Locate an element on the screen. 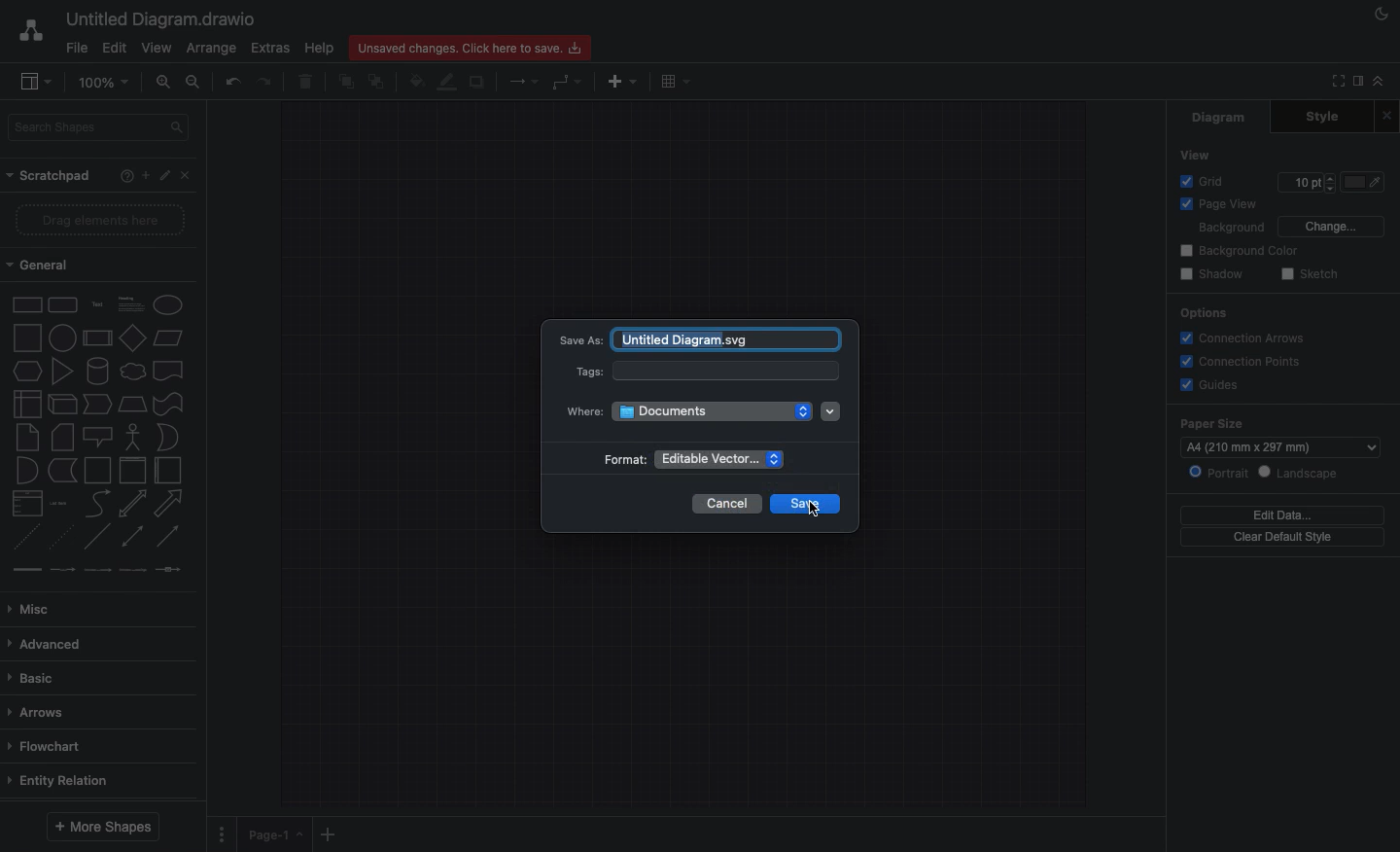  Advanced is located at coordinates (48, 646).